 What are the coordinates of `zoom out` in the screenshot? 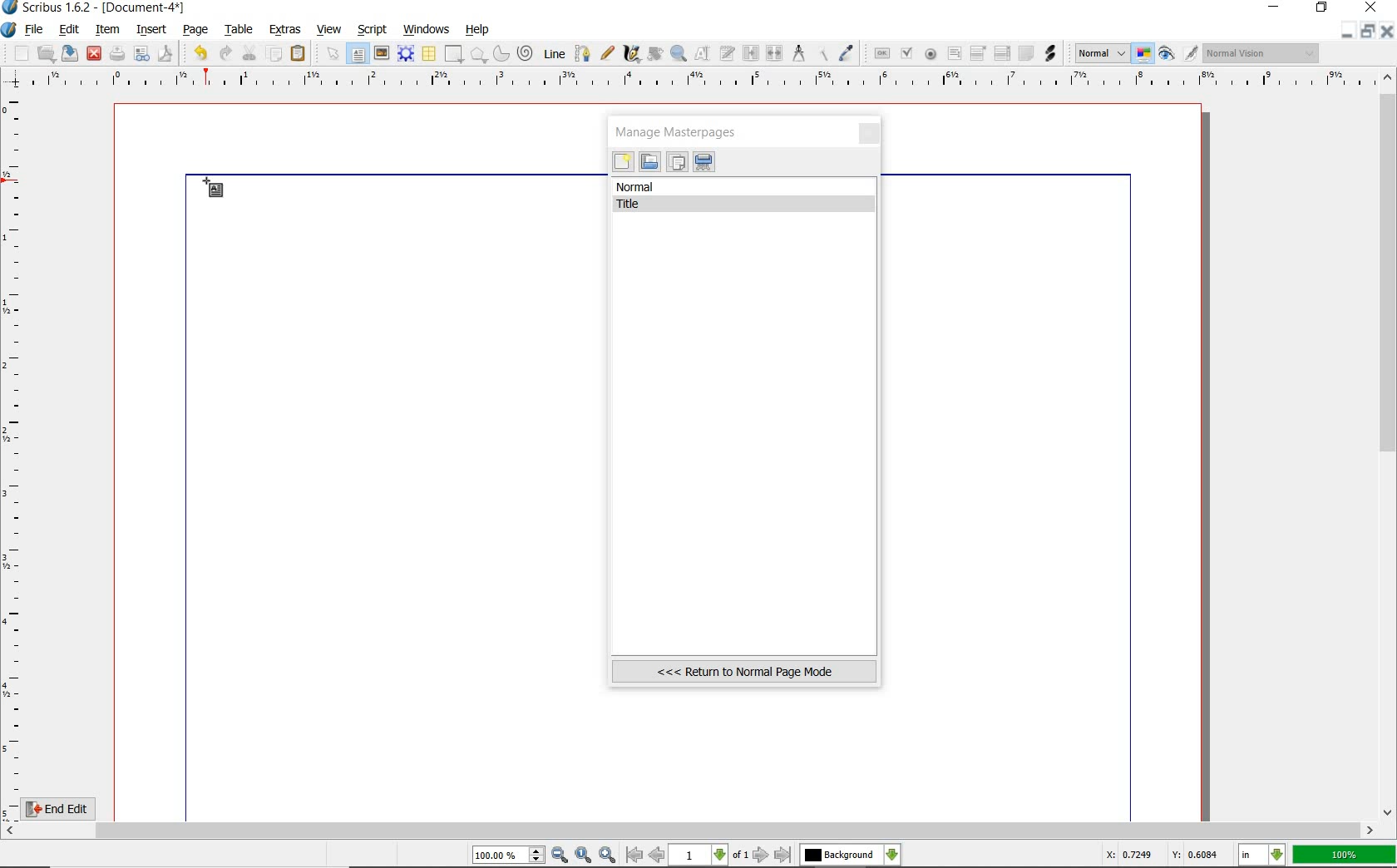 It's located at (560, 856).